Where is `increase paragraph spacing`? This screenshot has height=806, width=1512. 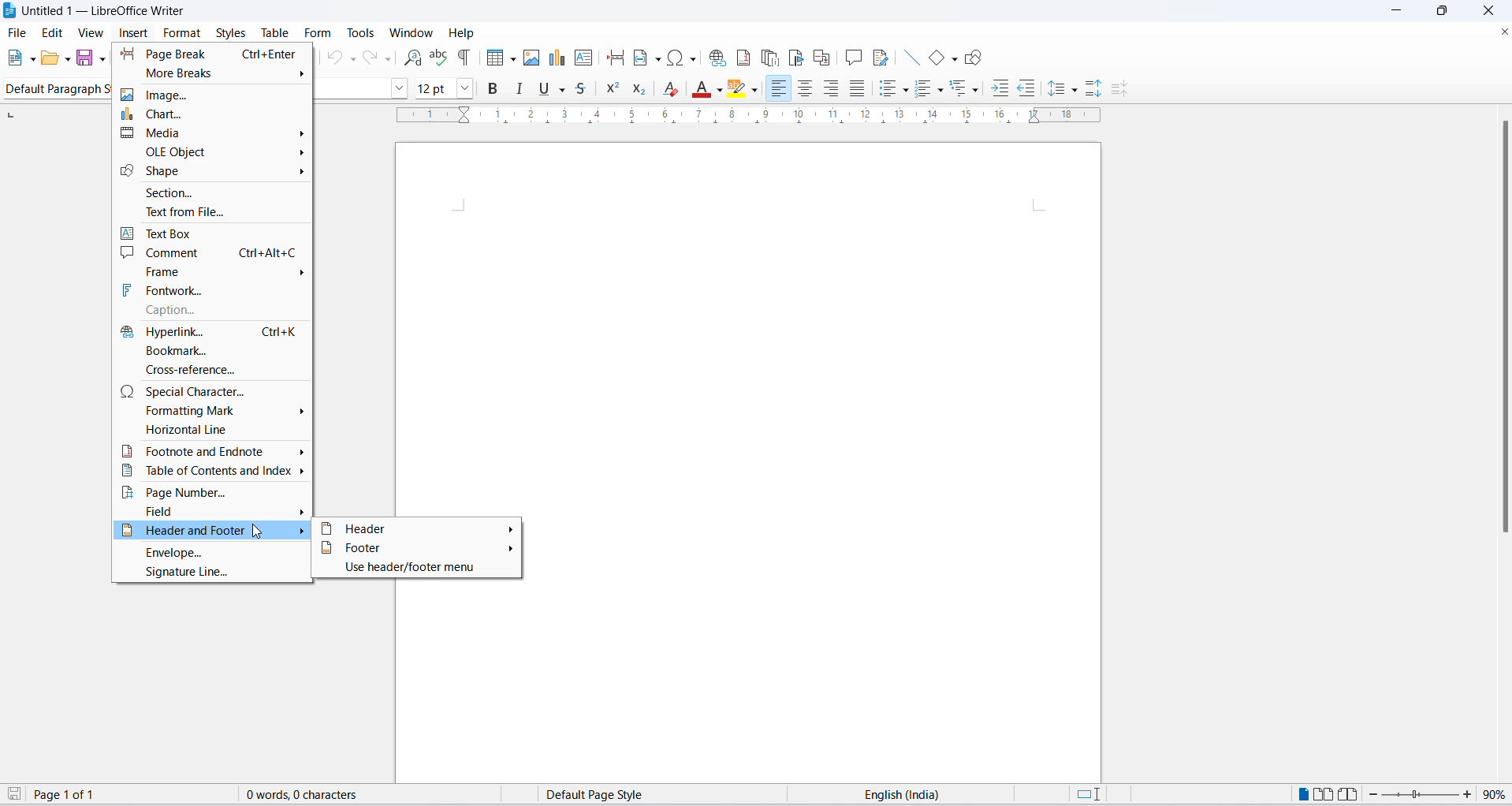 increase paragraph spacing is located at coordinates (1093, 88).